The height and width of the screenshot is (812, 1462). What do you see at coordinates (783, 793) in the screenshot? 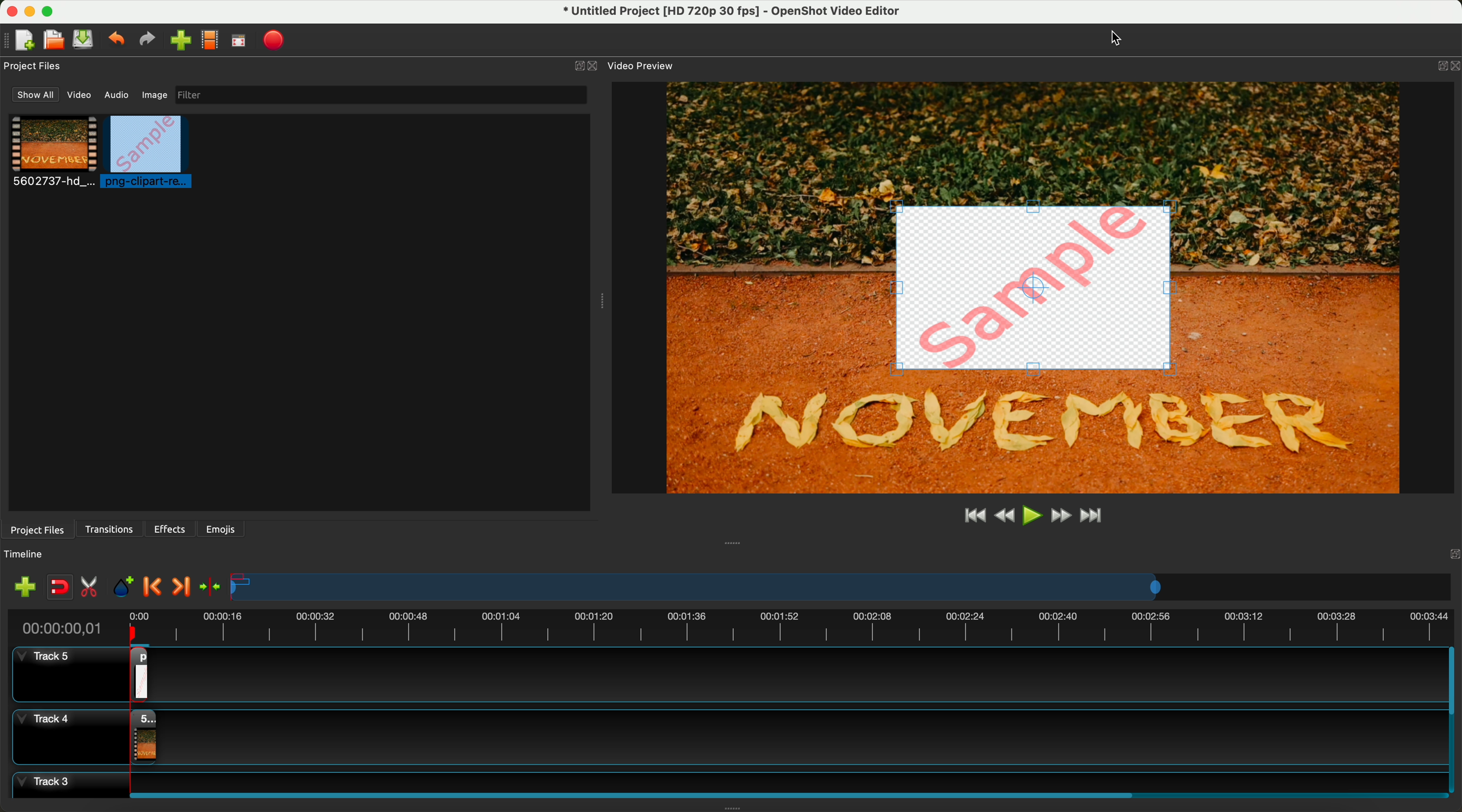
I see `scroll bar` at bounding box center [783, 793].